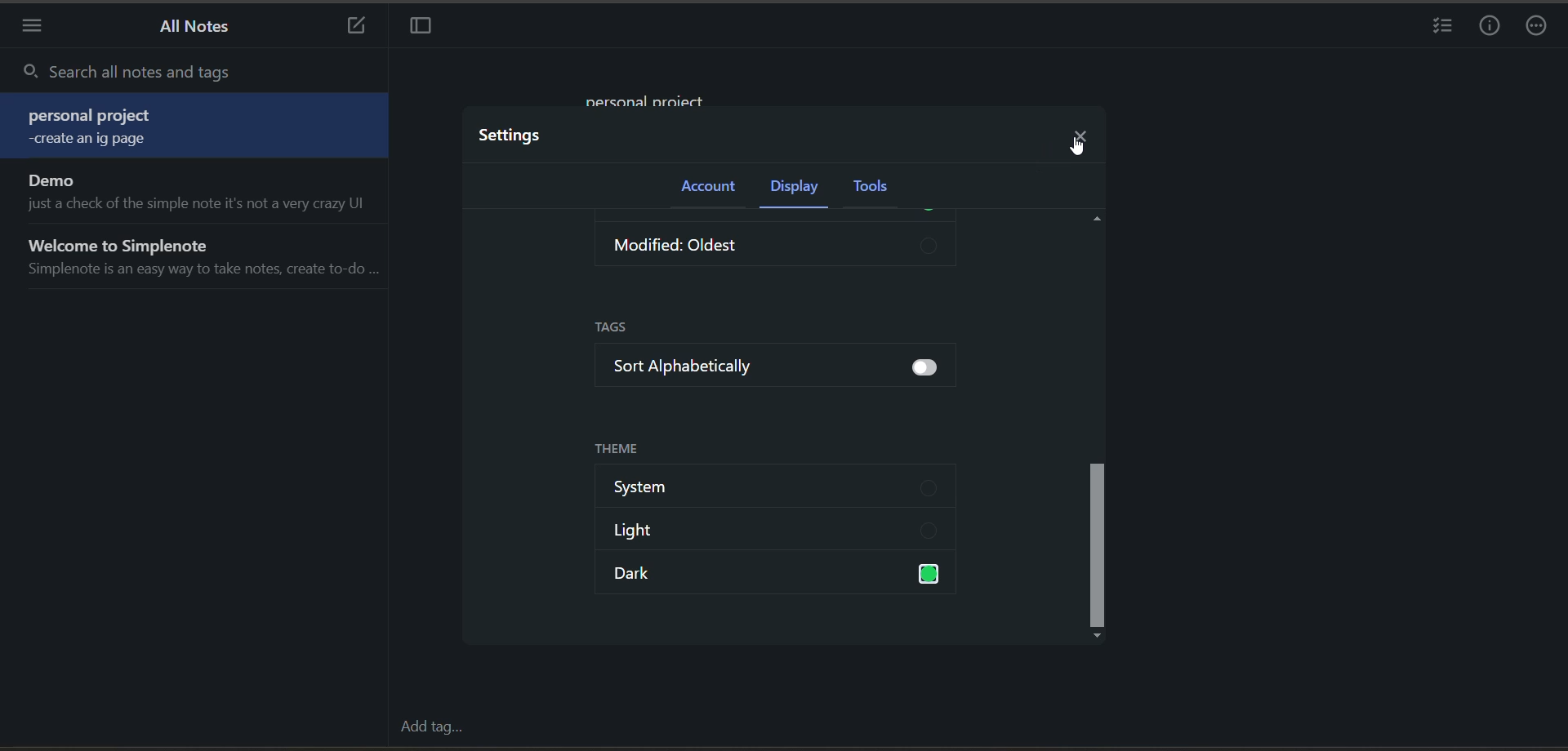  Describe the element at coordinates (1543, 28) in the screenshot. I see `actions` at that location.